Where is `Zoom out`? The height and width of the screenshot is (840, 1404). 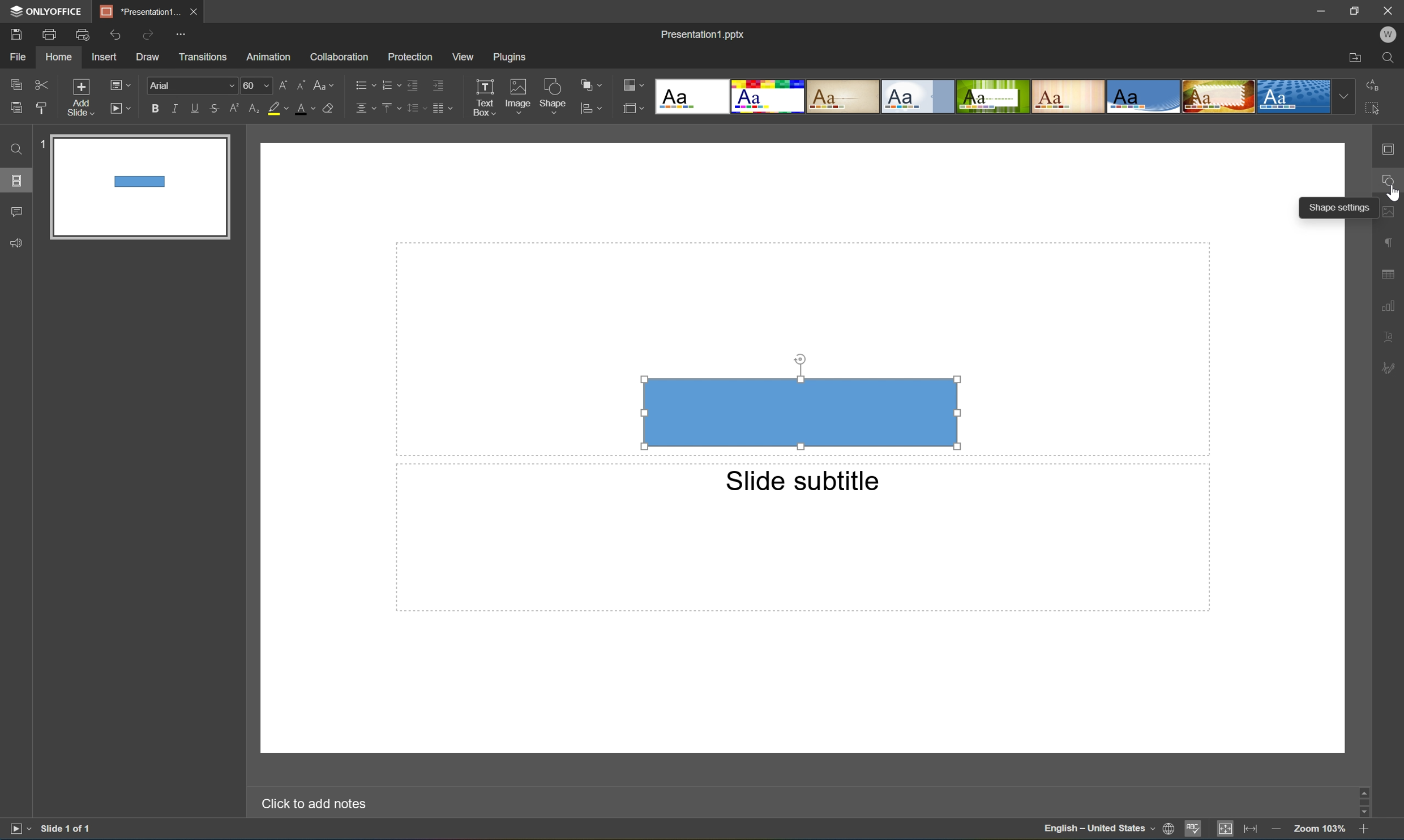 Zoom out is located at coordinates (1275, 829).